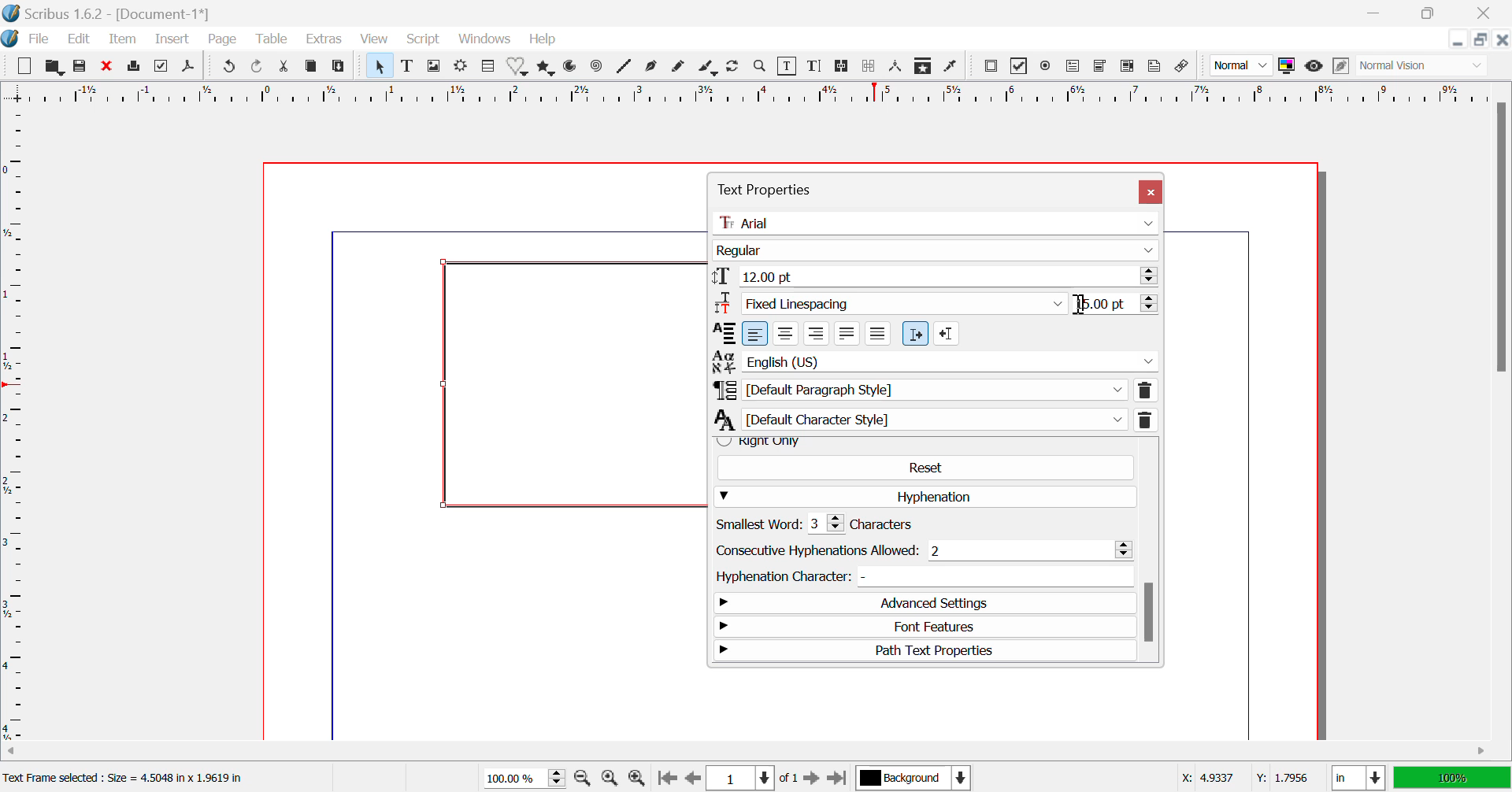  I want to click on Eyedropper, so click(953, 65).